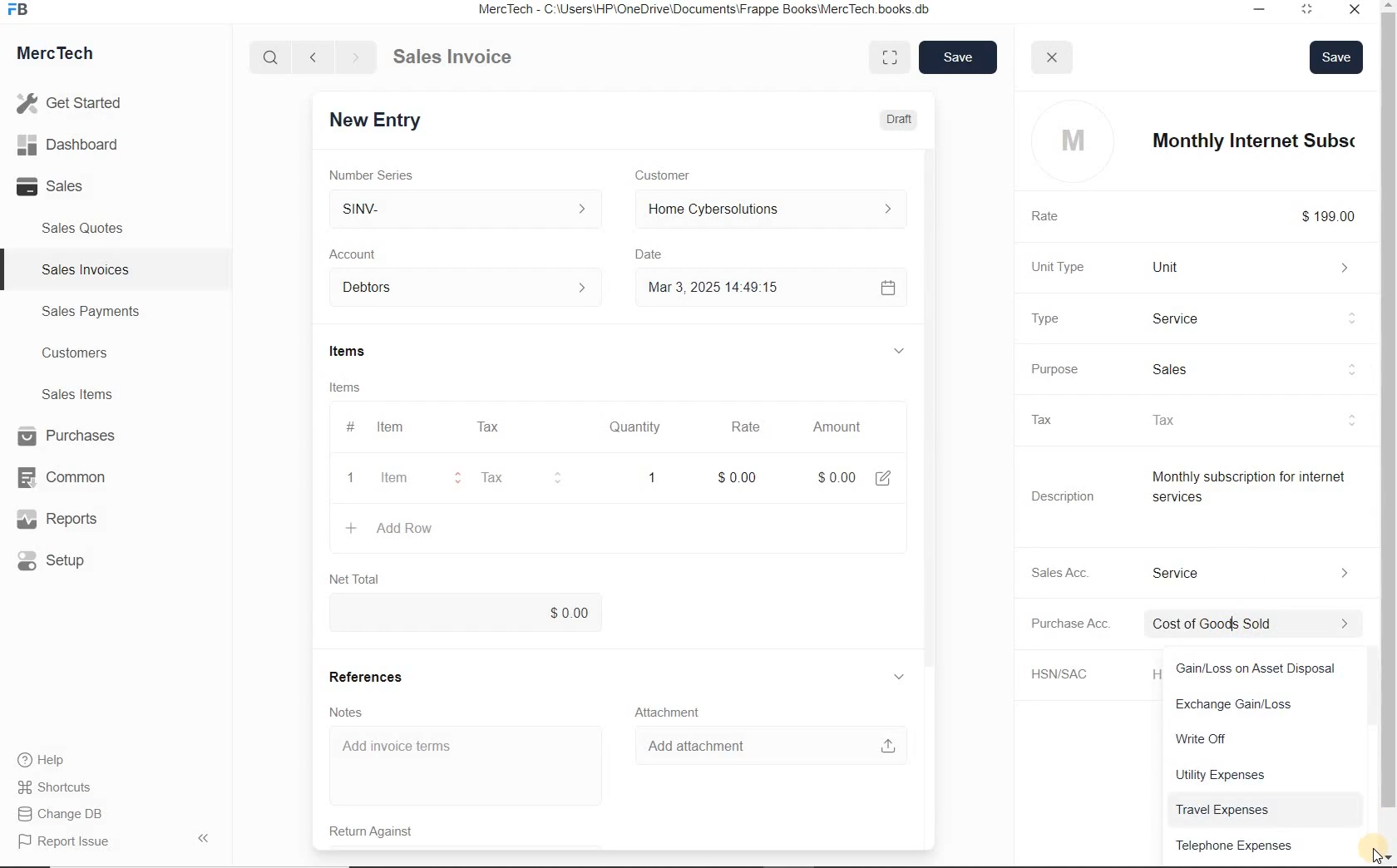  Describe the element at coordinates (909, 677) in the screenshot. I see `hide sub menu` at that location.